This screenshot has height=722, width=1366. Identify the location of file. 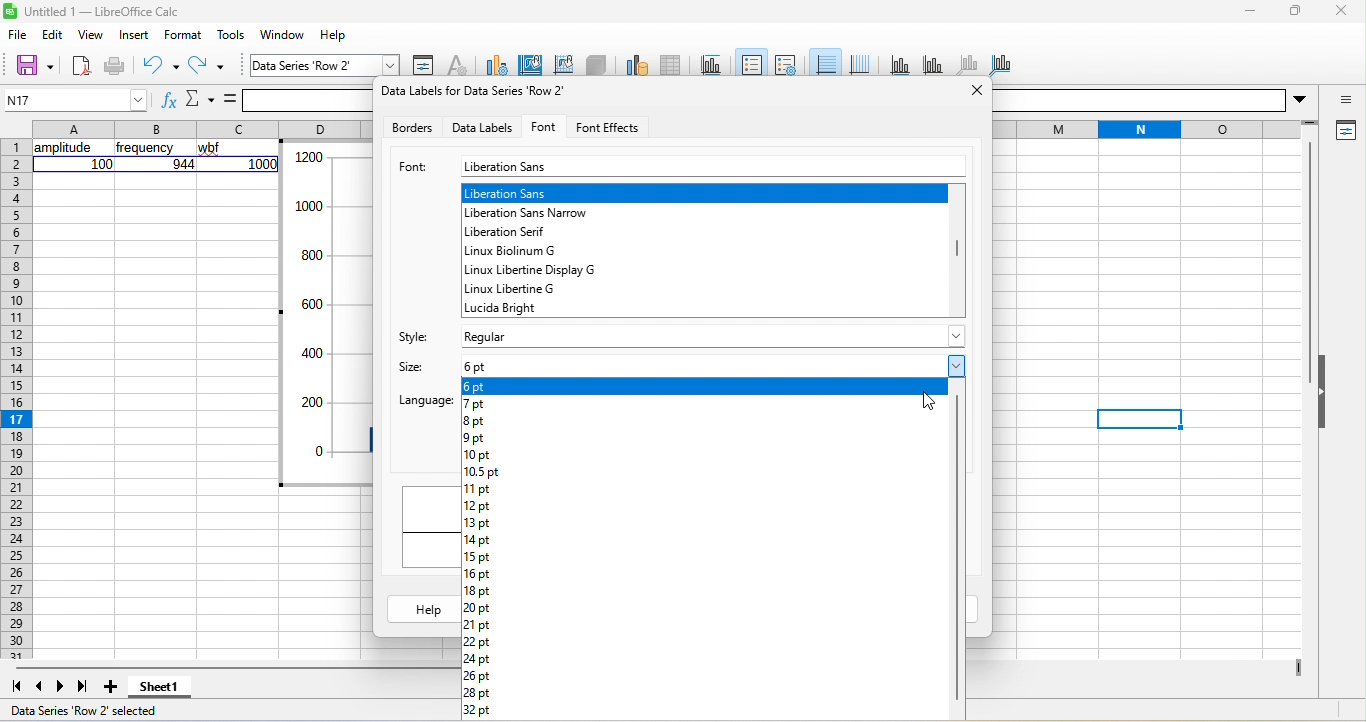
(21, 37).